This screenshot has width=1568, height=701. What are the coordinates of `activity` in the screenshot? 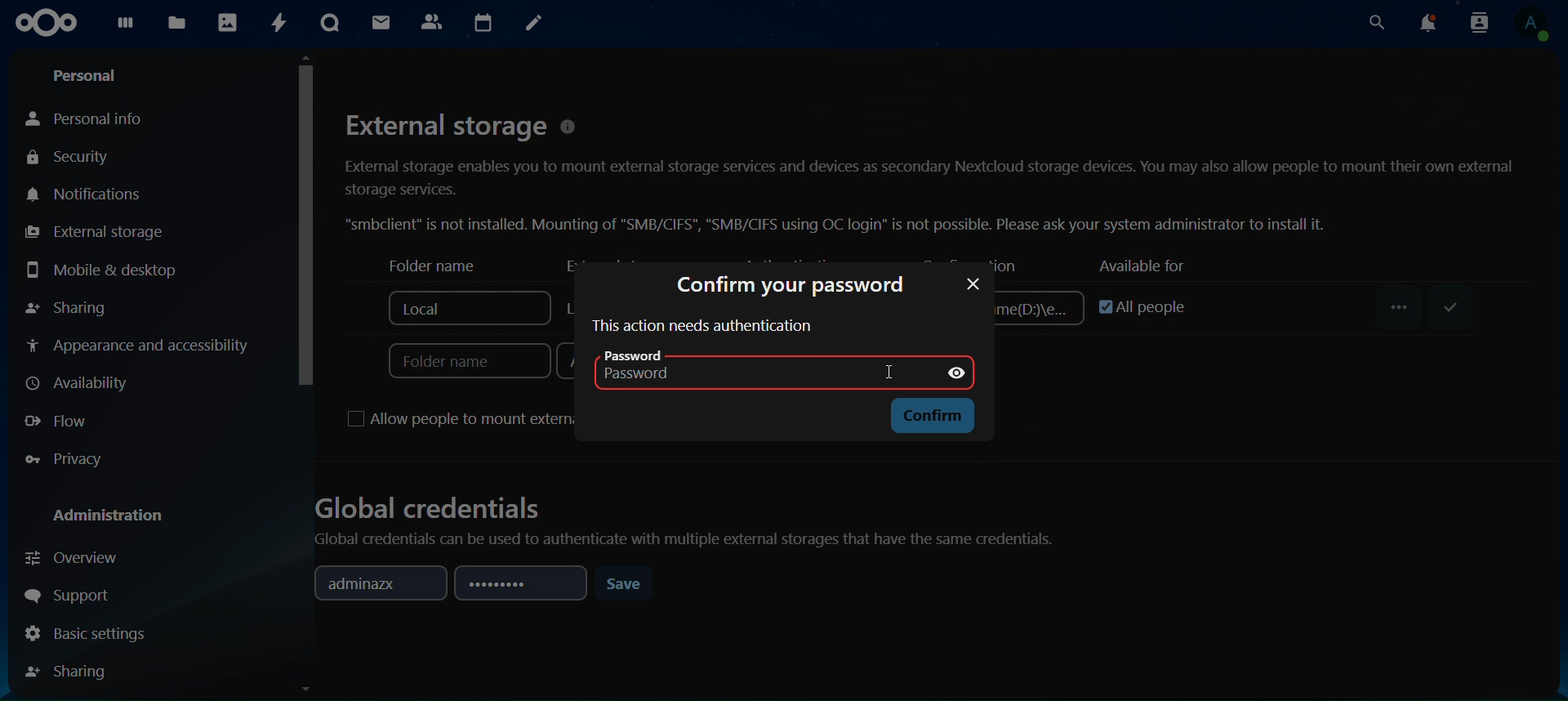 It's located at (275, 24).